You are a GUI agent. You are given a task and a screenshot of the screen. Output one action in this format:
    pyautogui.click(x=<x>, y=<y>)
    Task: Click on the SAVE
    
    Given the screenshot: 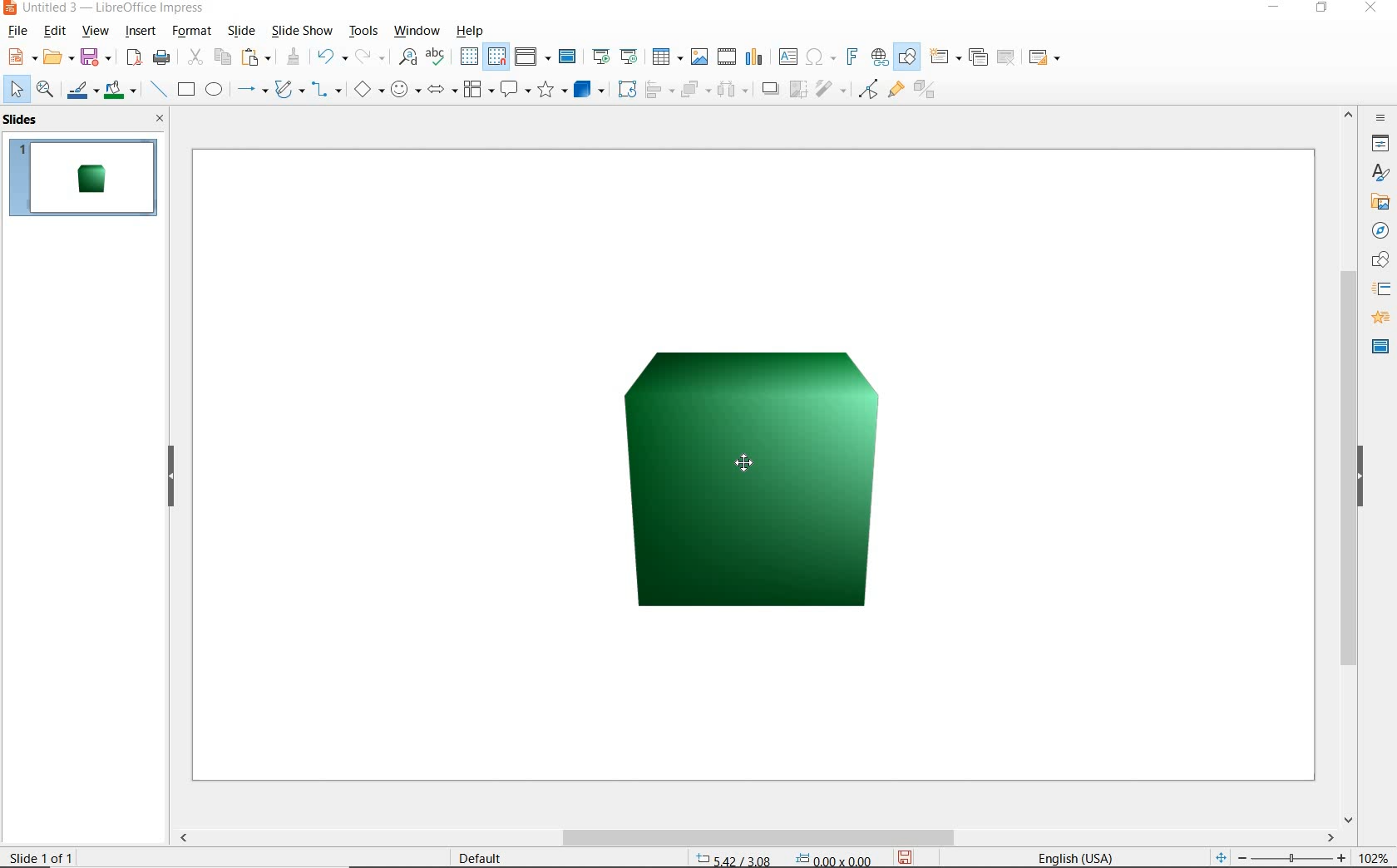 What is the action you would take?
    pyautogui.click(x=910, y=856)
    